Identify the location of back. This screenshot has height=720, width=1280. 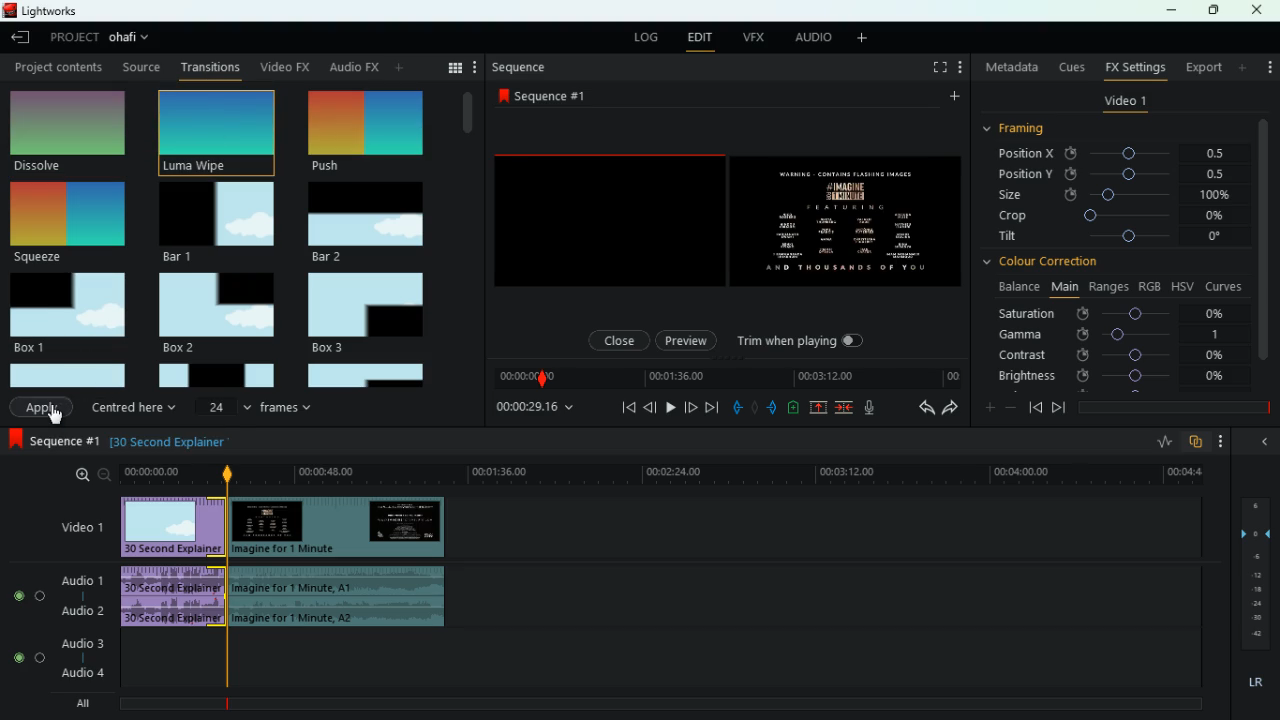
(650, 407).